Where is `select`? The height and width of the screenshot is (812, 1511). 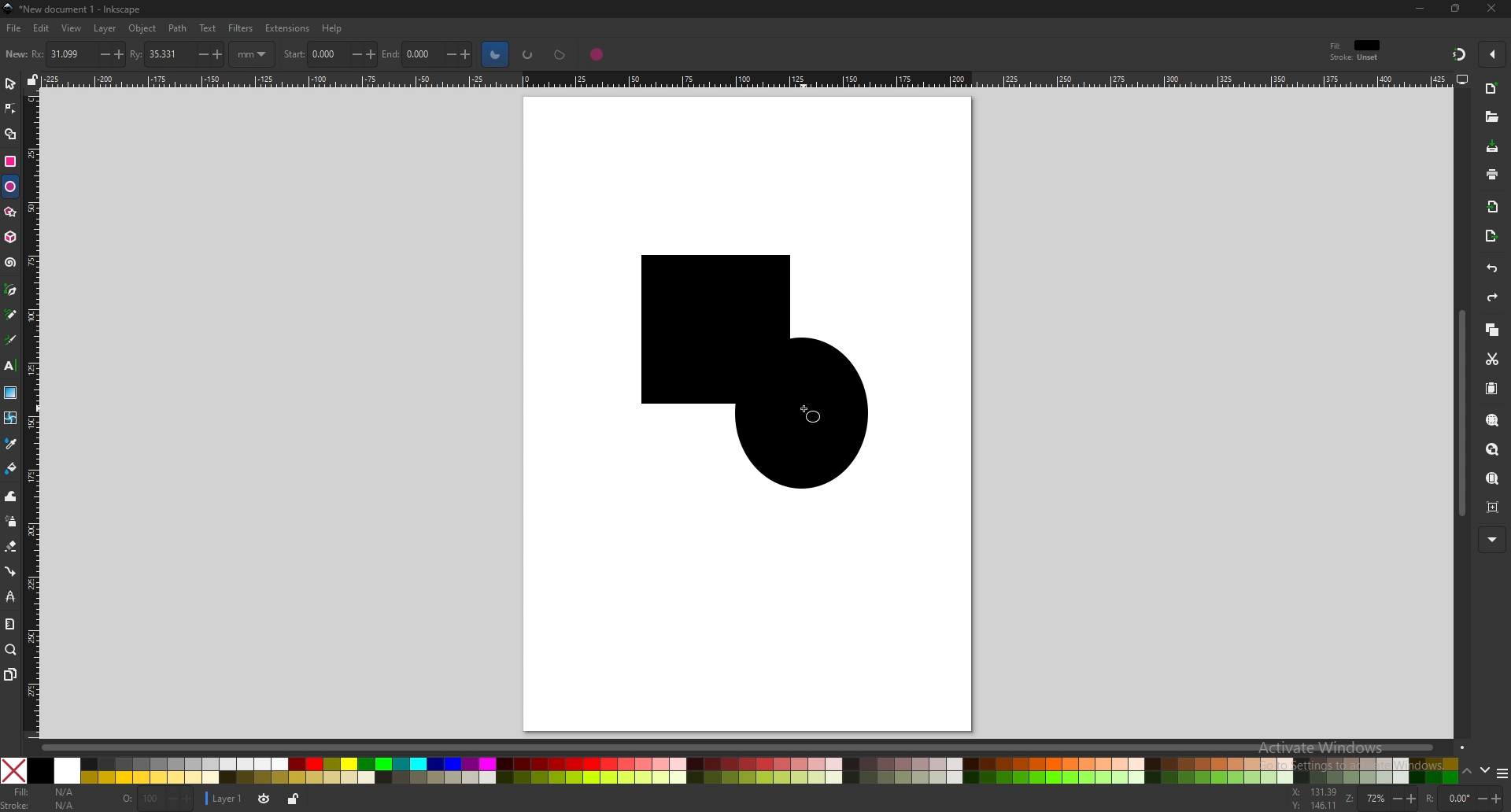 select is located at coordinates (10, 82).